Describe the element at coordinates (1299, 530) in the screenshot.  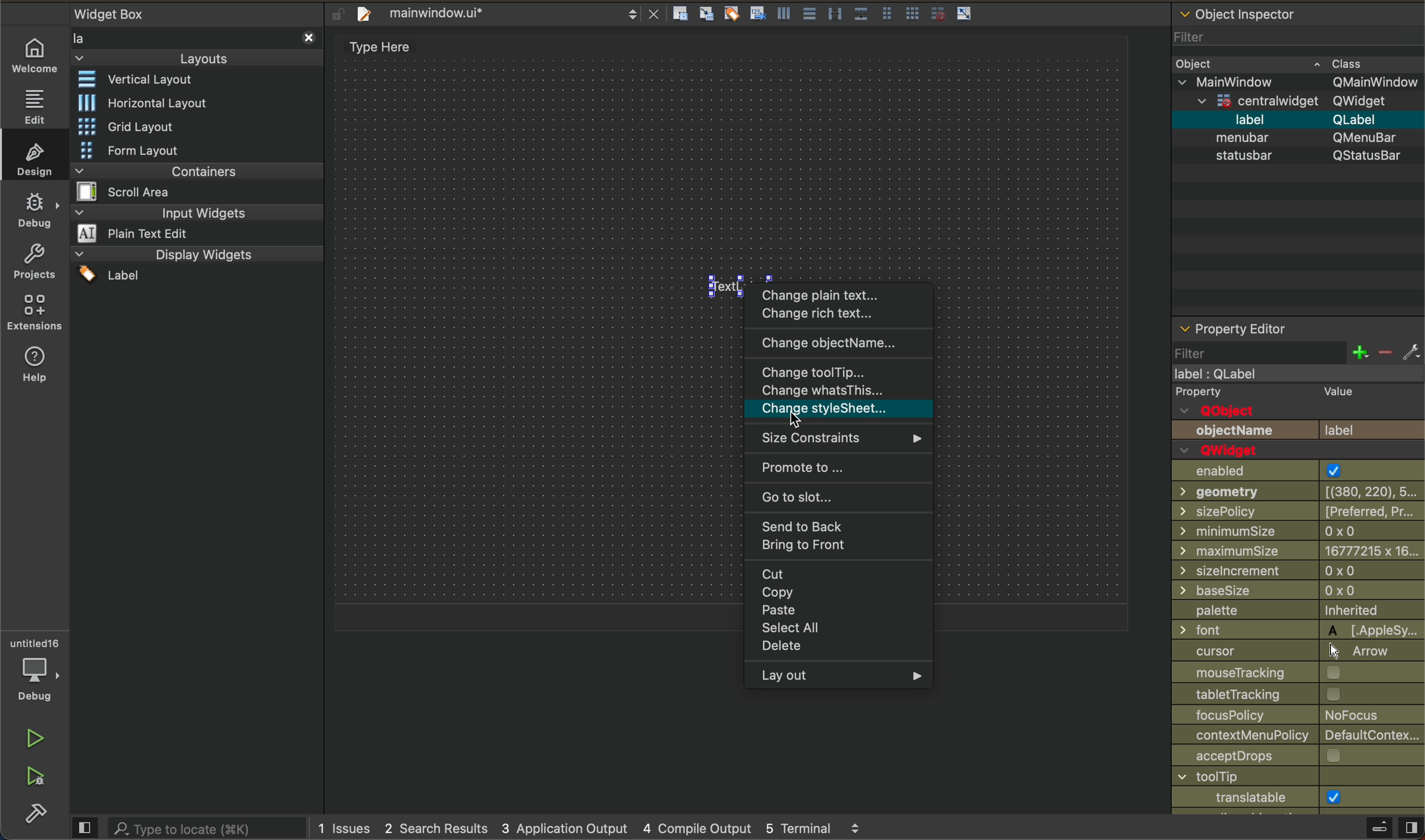
I see `min size` at that location.